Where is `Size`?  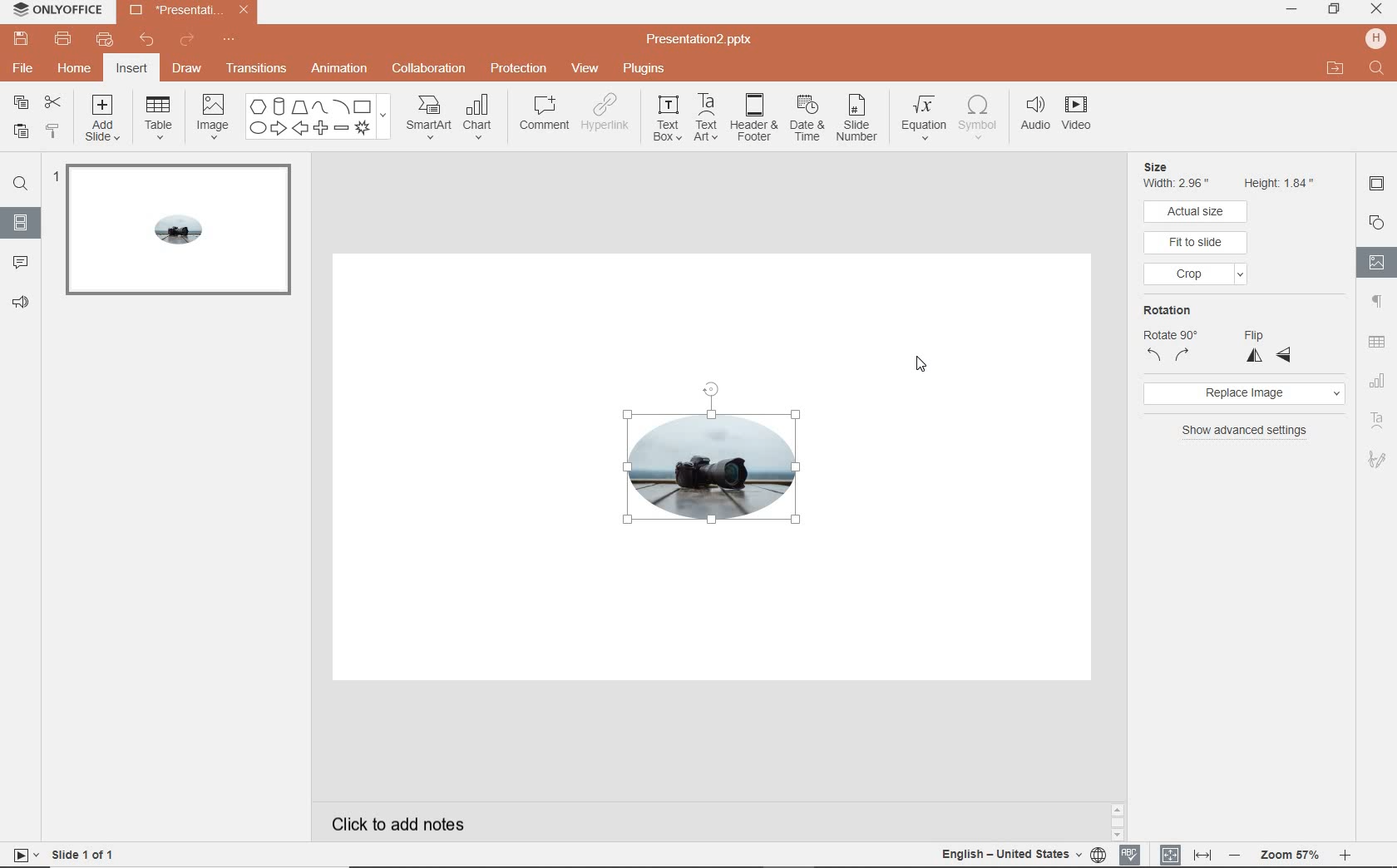 Size is located at coordinates (1176, 166).